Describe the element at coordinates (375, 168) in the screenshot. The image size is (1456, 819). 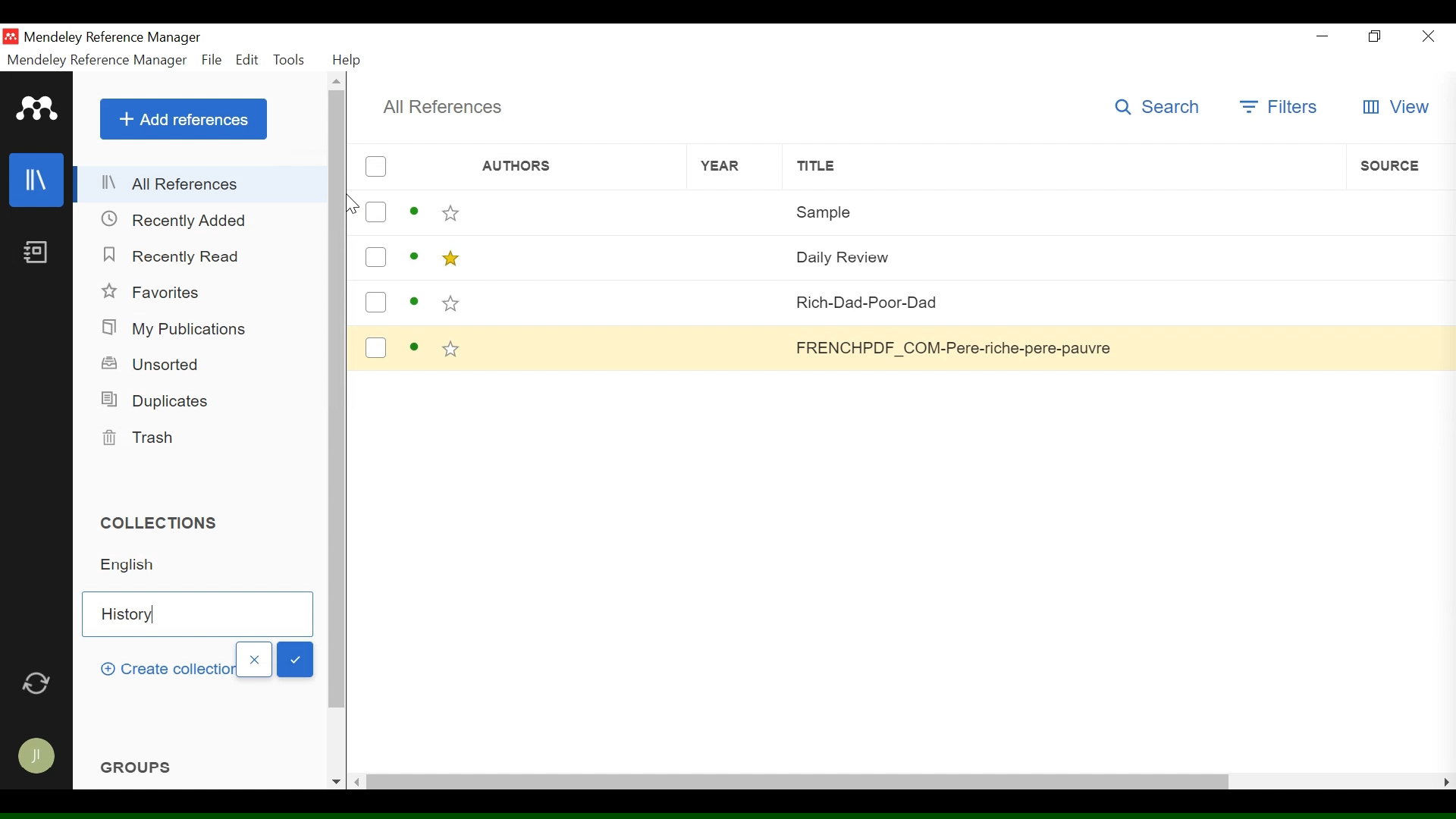
I see `(un)select` at that location.